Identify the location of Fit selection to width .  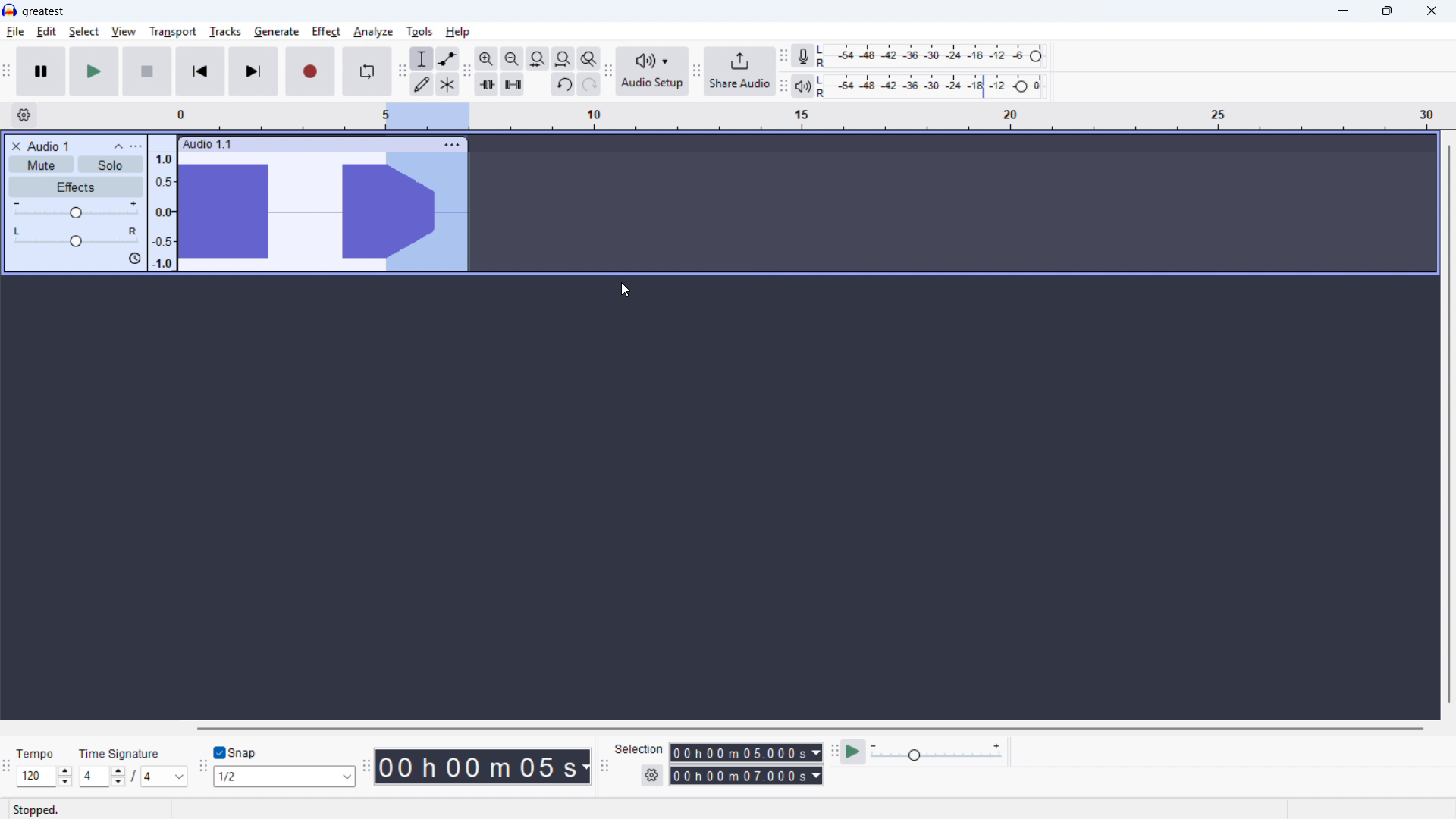
(538, 59).